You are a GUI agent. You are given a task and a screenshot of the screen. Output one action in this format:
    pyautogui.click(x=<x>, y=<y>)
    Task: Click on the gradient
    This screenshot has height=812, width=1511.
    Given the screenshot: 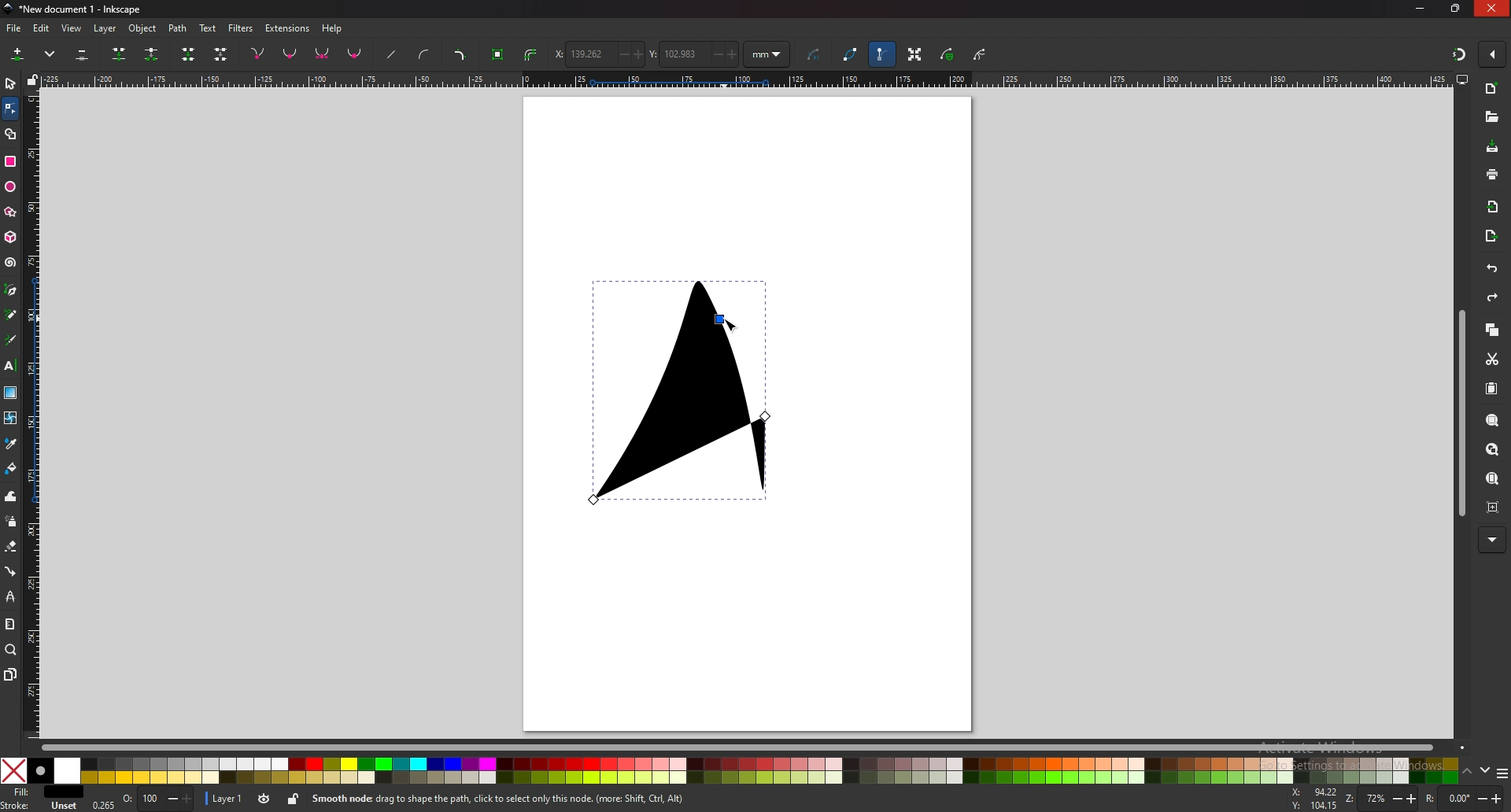 What is the action you would take?
    pyautogui.click(x=11, y=393)
    